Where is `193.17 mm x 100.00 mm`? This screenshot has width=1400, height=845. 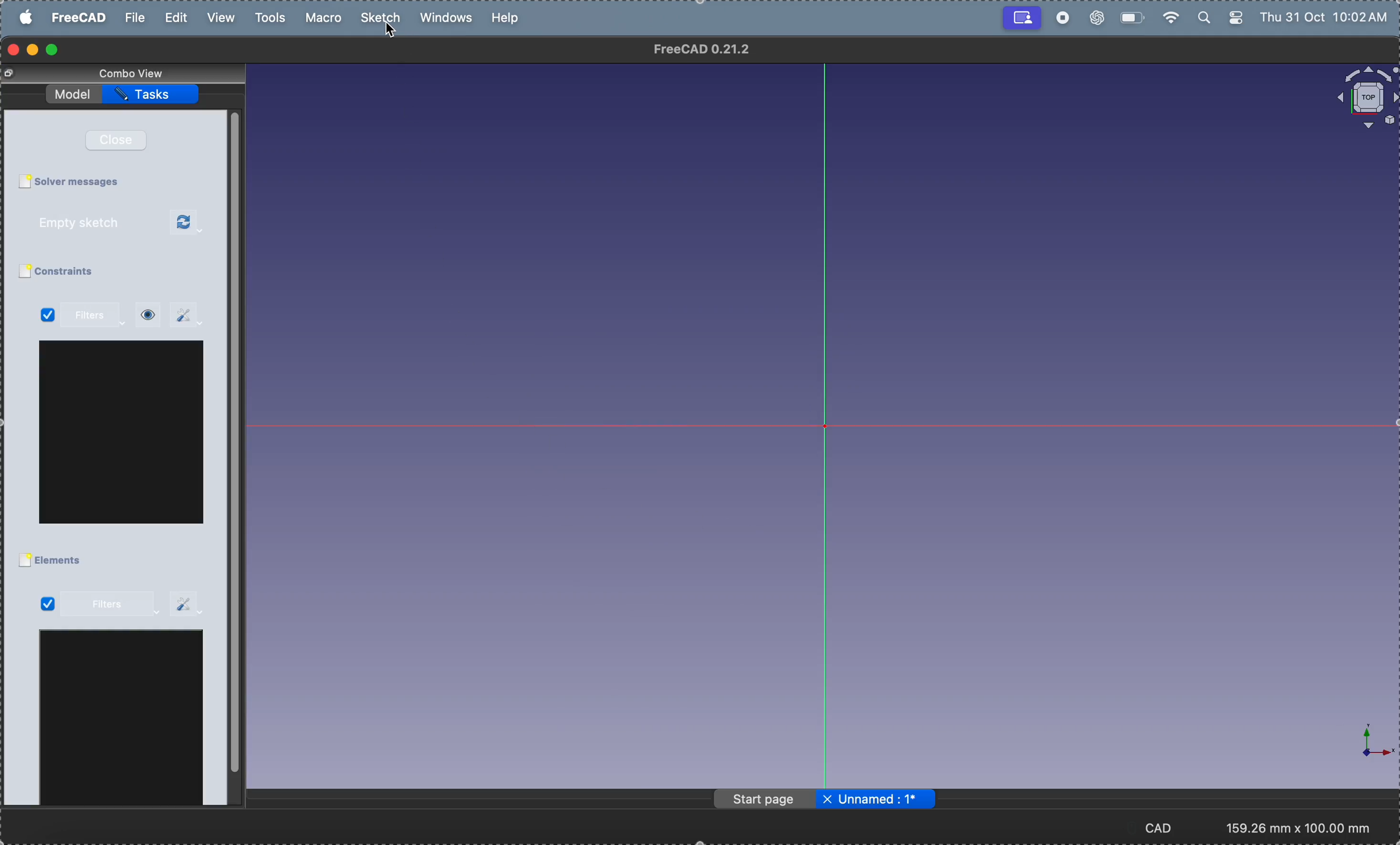 193.17 mm x 100.00 mm is located at coordinates (1299, 828).